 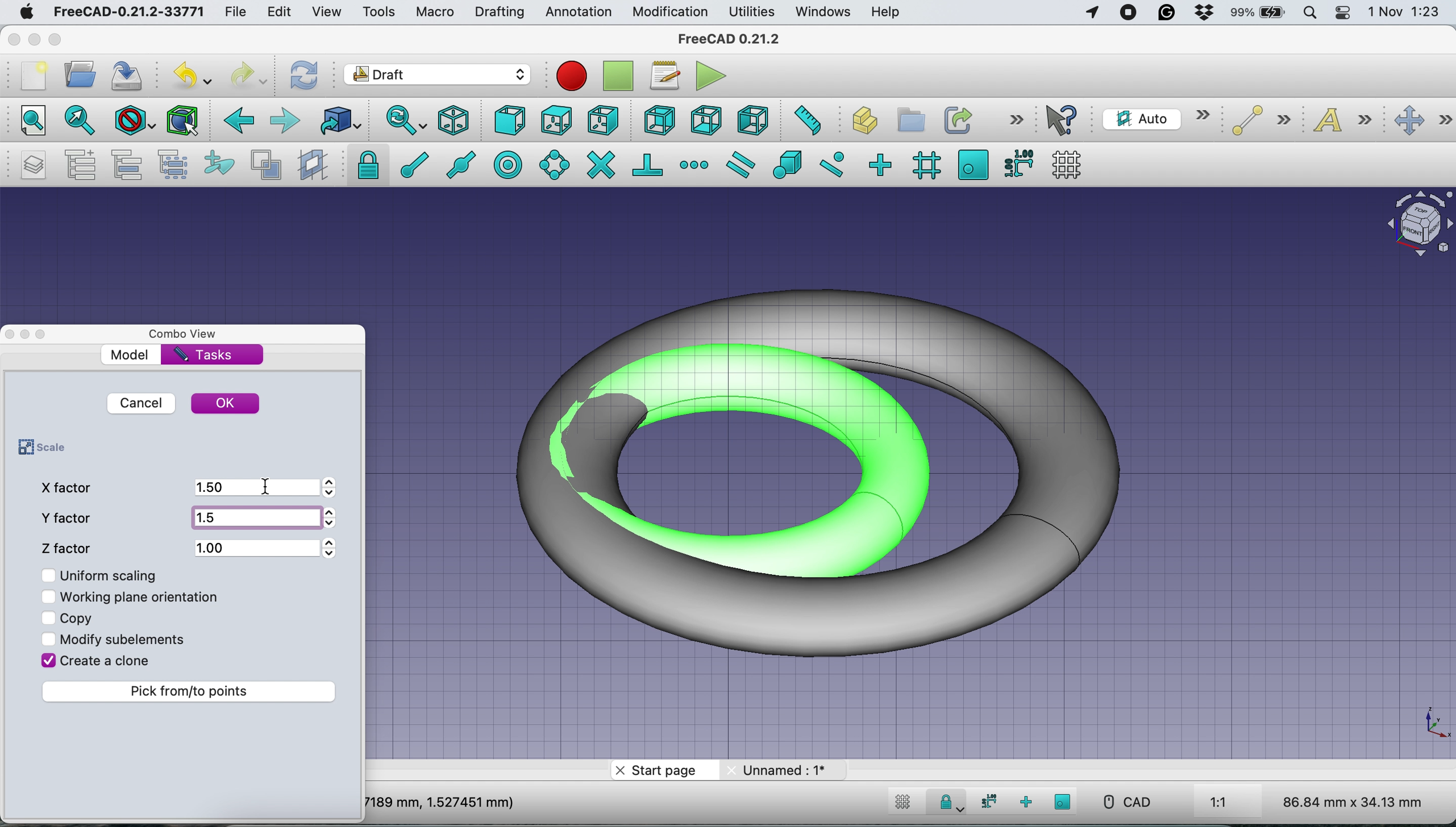 What do you see at coordinates (908, 118) in the screenshot?
I see `create group` at bounding box center [908, 118].